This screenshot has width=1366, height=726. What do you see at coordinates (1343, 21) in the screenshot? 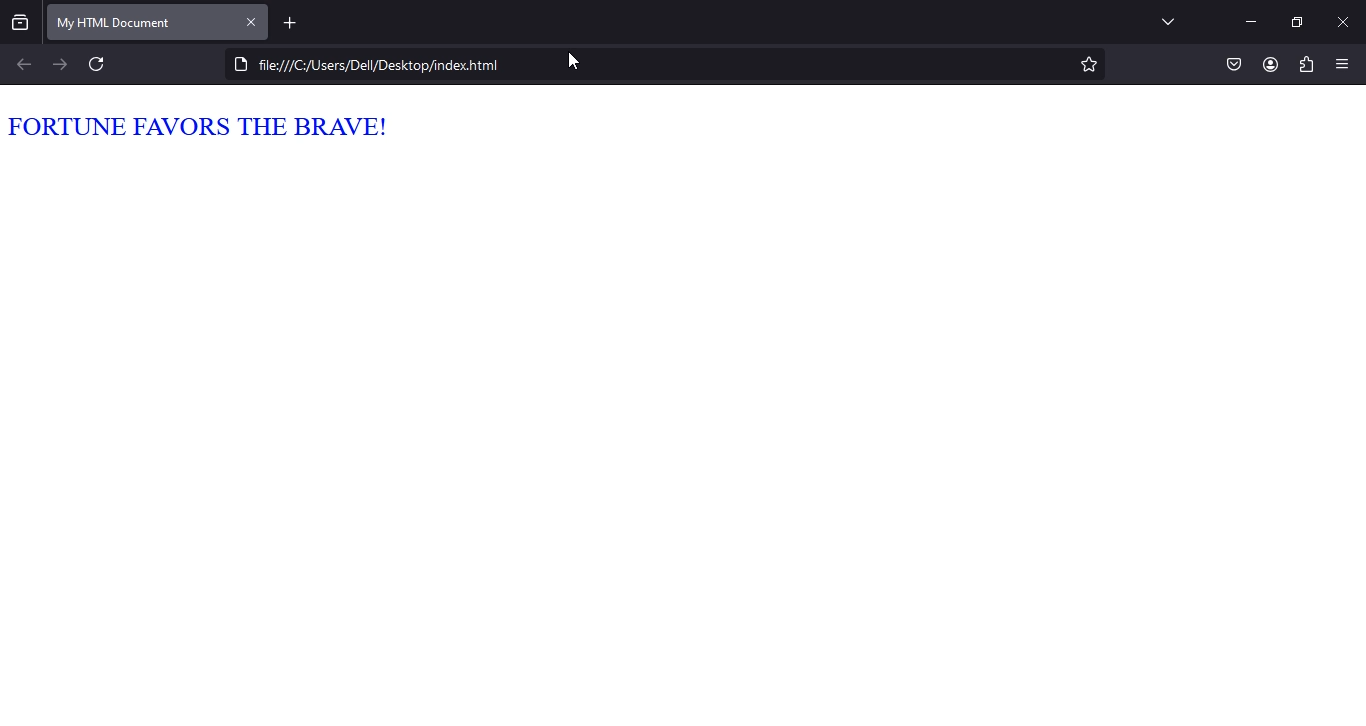
I see `minimize` at bounding box center [1343, 21].